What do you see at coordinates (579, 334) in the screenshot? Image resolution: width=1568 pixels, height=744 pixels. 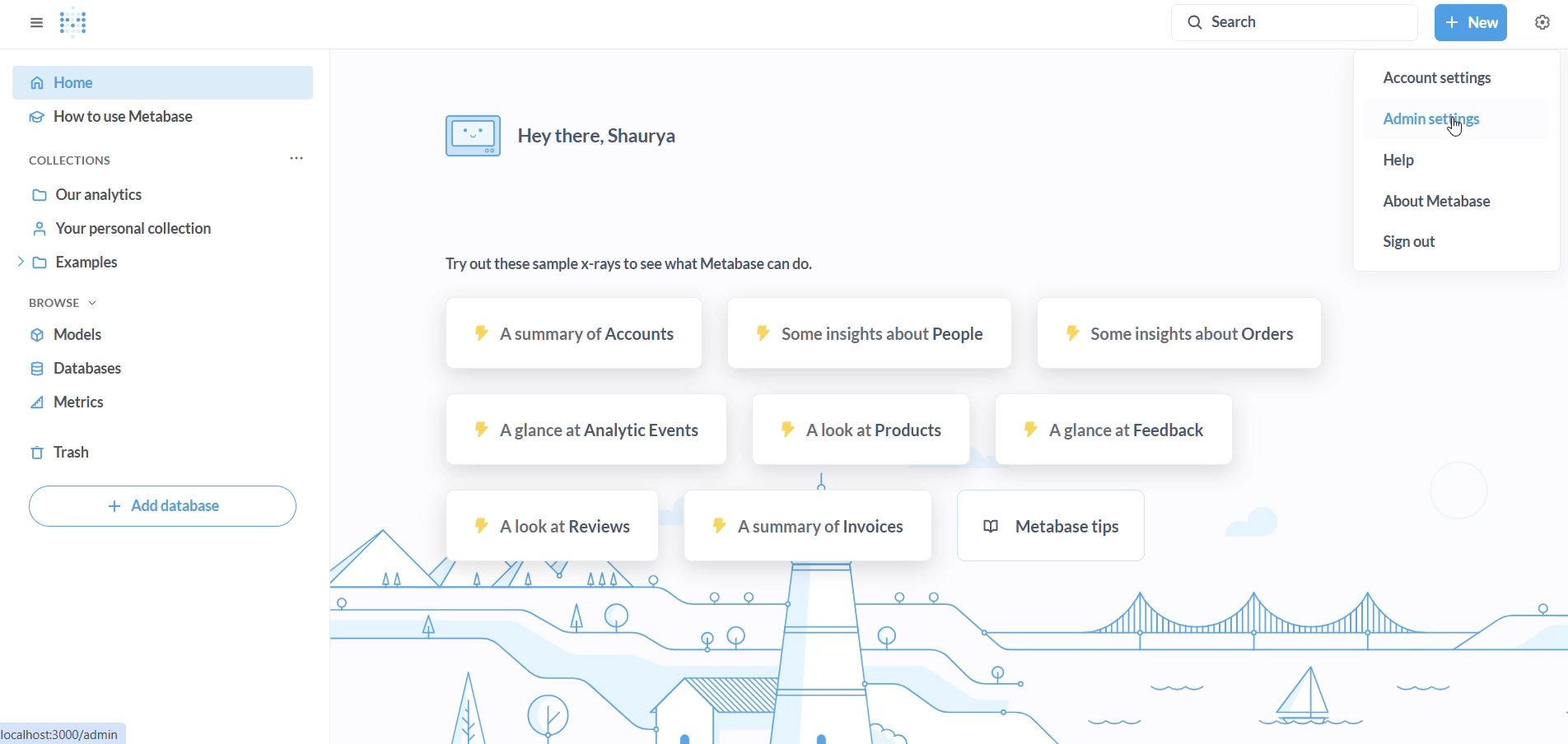 I see `% Asummary of Accounts` at bounding box center [579, 334].